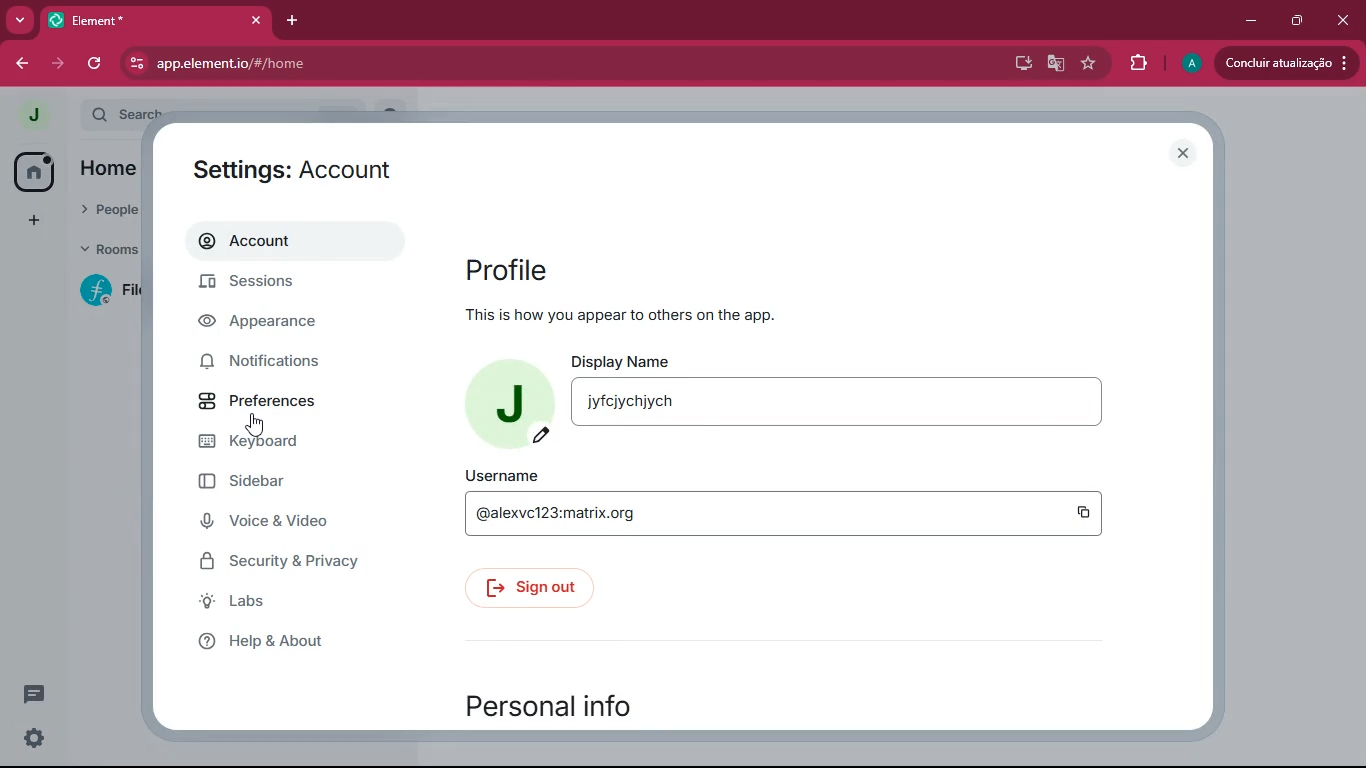 Image resolution: width=1366 pixels, height=768 pixels. What do you see at coordinates (1081, 513) in the screenshot?
I see `copy` at bounding box center [1081, 513].